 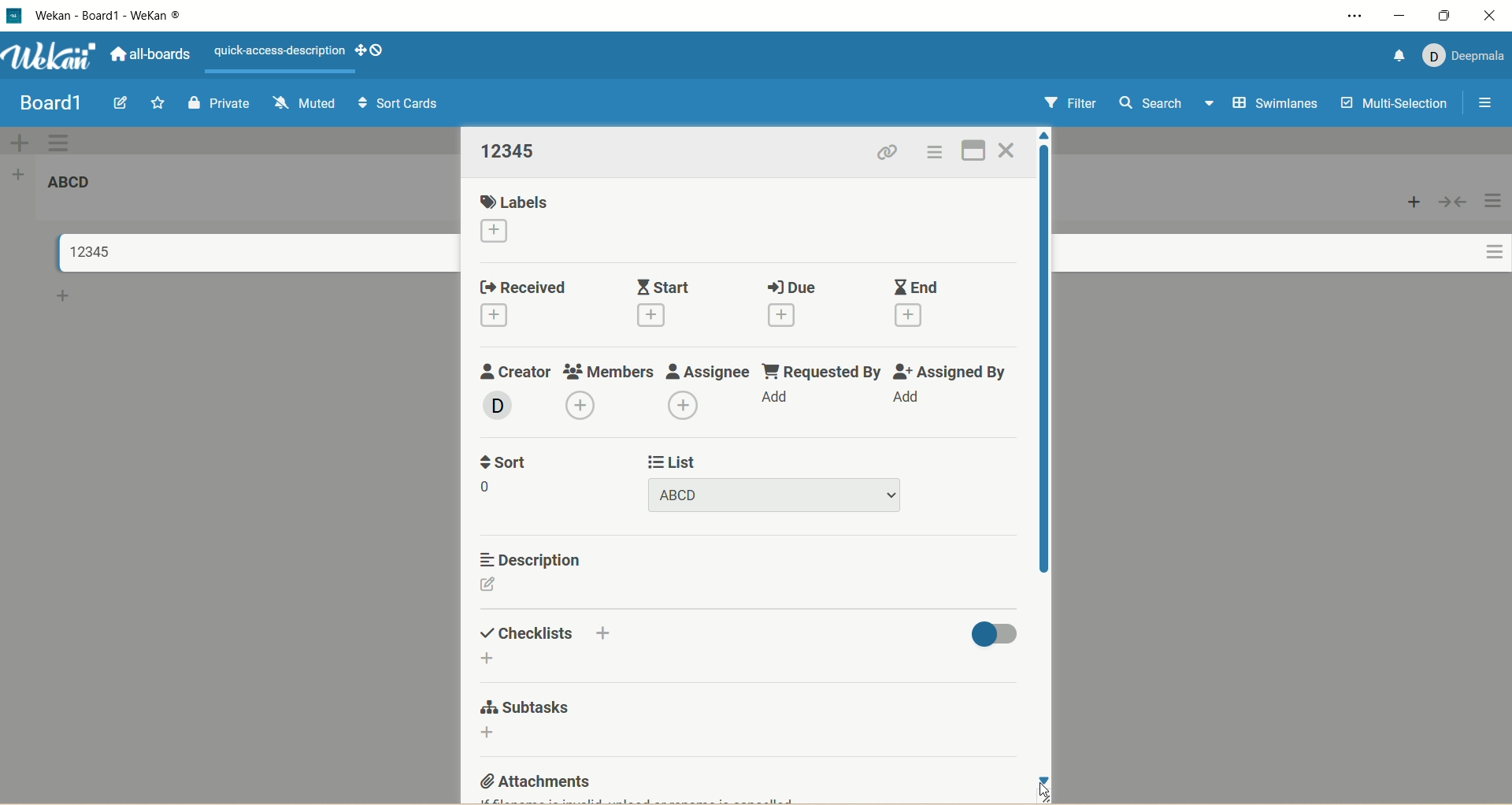 I want to click on received, so click(x=524, y=286).